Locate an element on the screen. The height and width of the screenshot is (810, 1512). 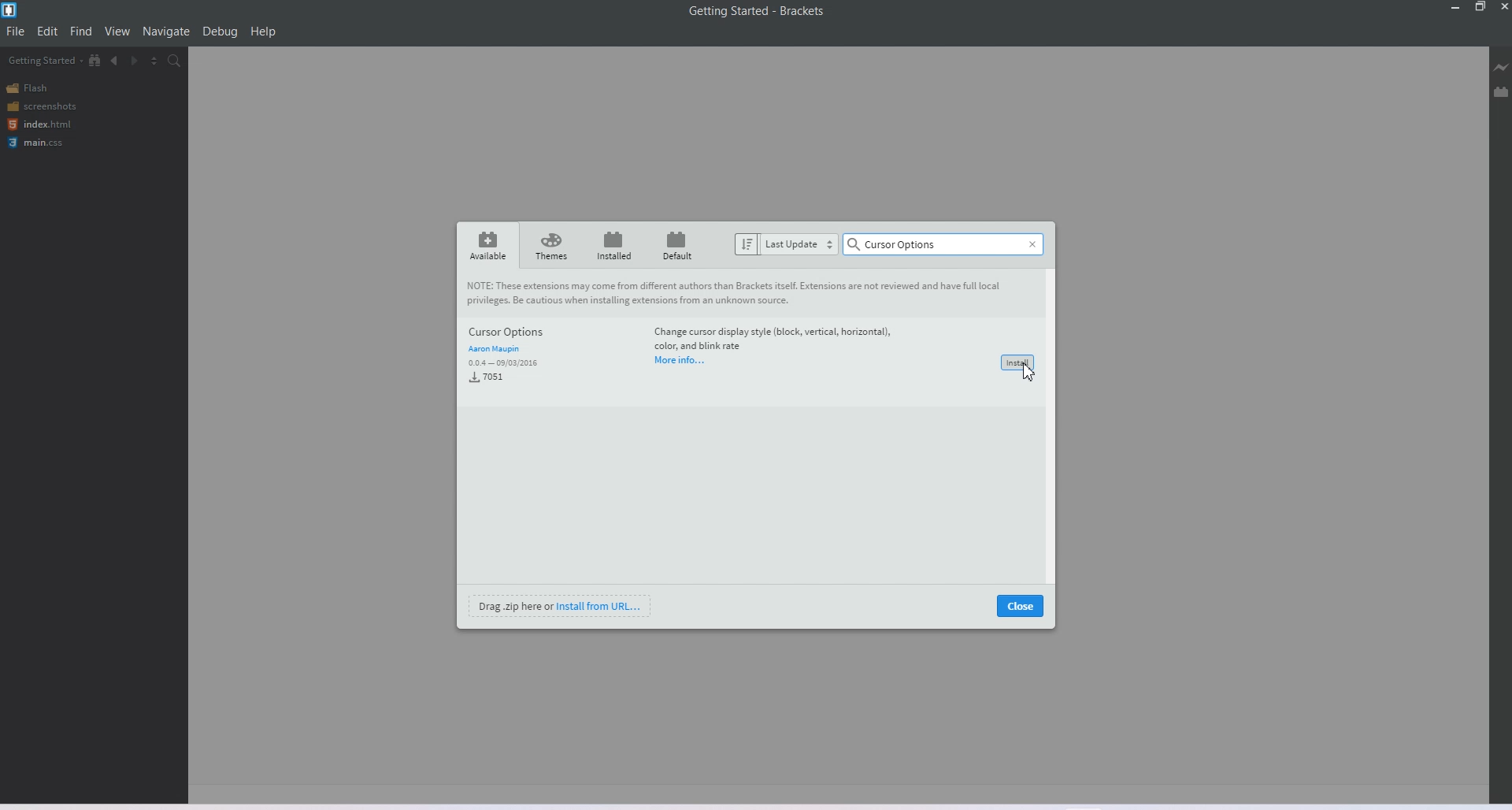
drag .zip here or install from URL is located at coordinates (560, 607).